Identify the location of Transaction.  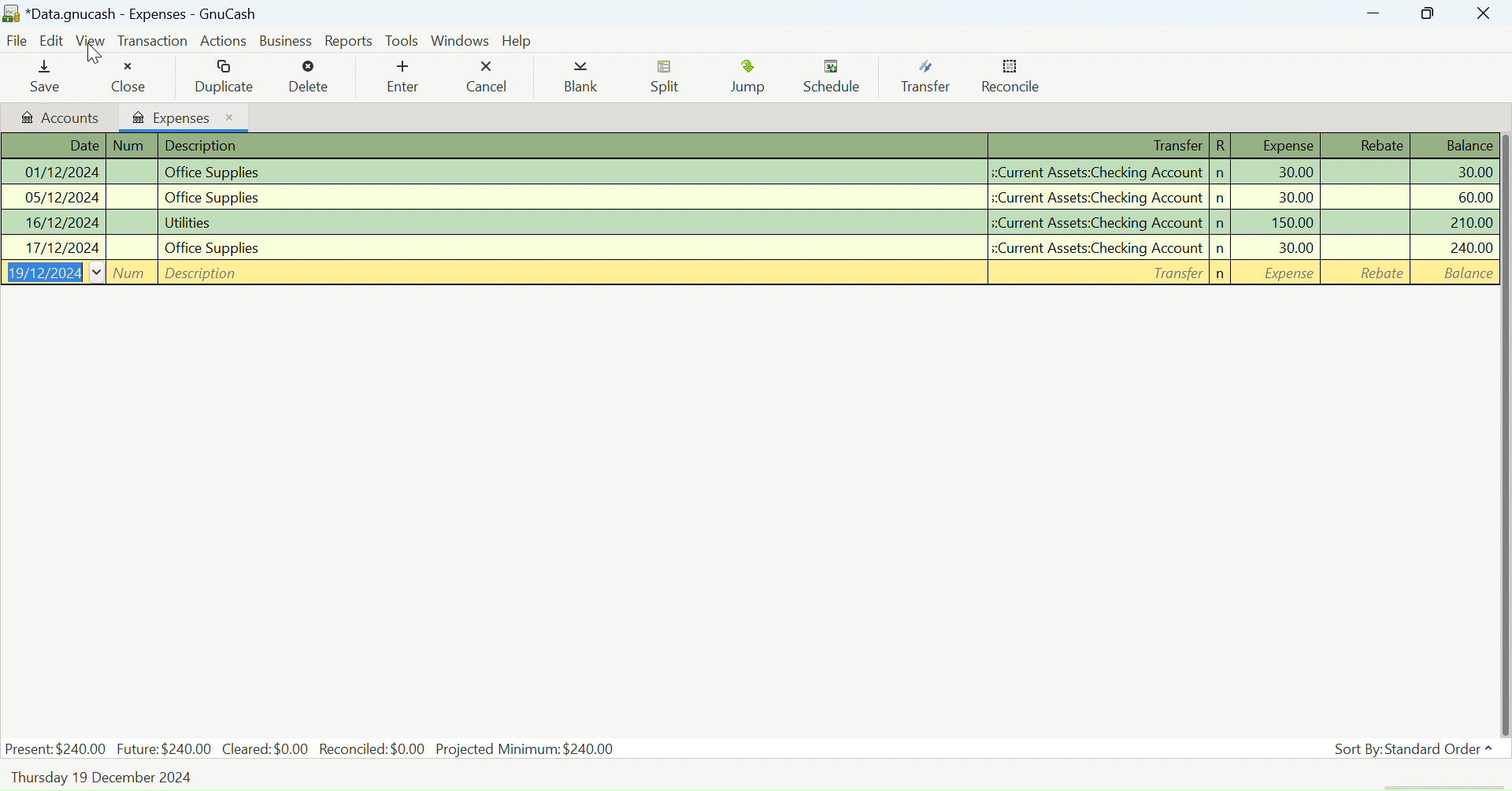
(152, 42).